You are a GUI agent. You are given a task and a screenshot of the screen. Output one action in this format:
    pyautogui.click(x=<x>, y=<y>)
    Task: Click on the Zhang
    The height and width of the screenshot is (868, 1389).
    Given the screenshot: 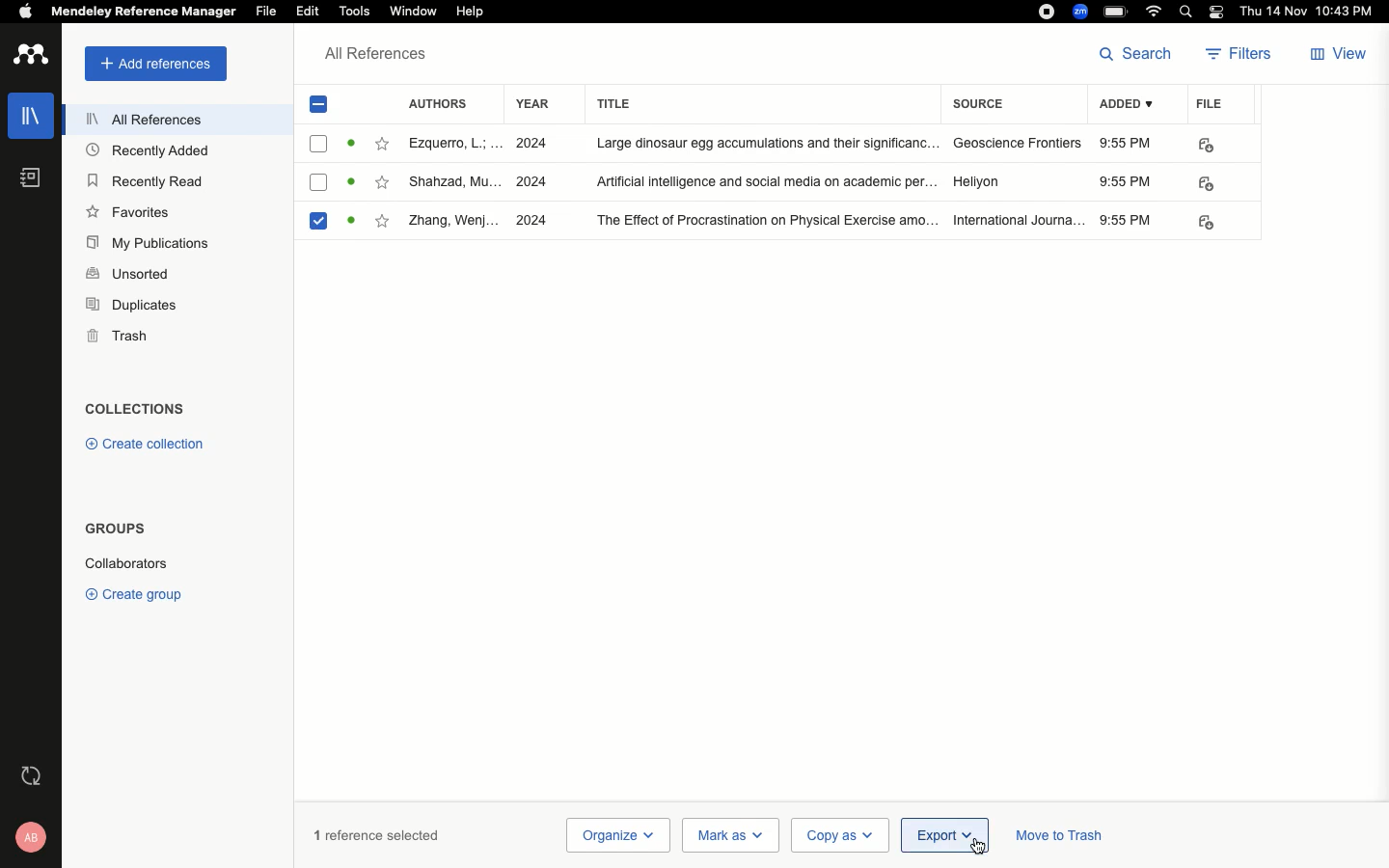 What is the action you would take?
    pyautogui.click(x=453, y=222)
    